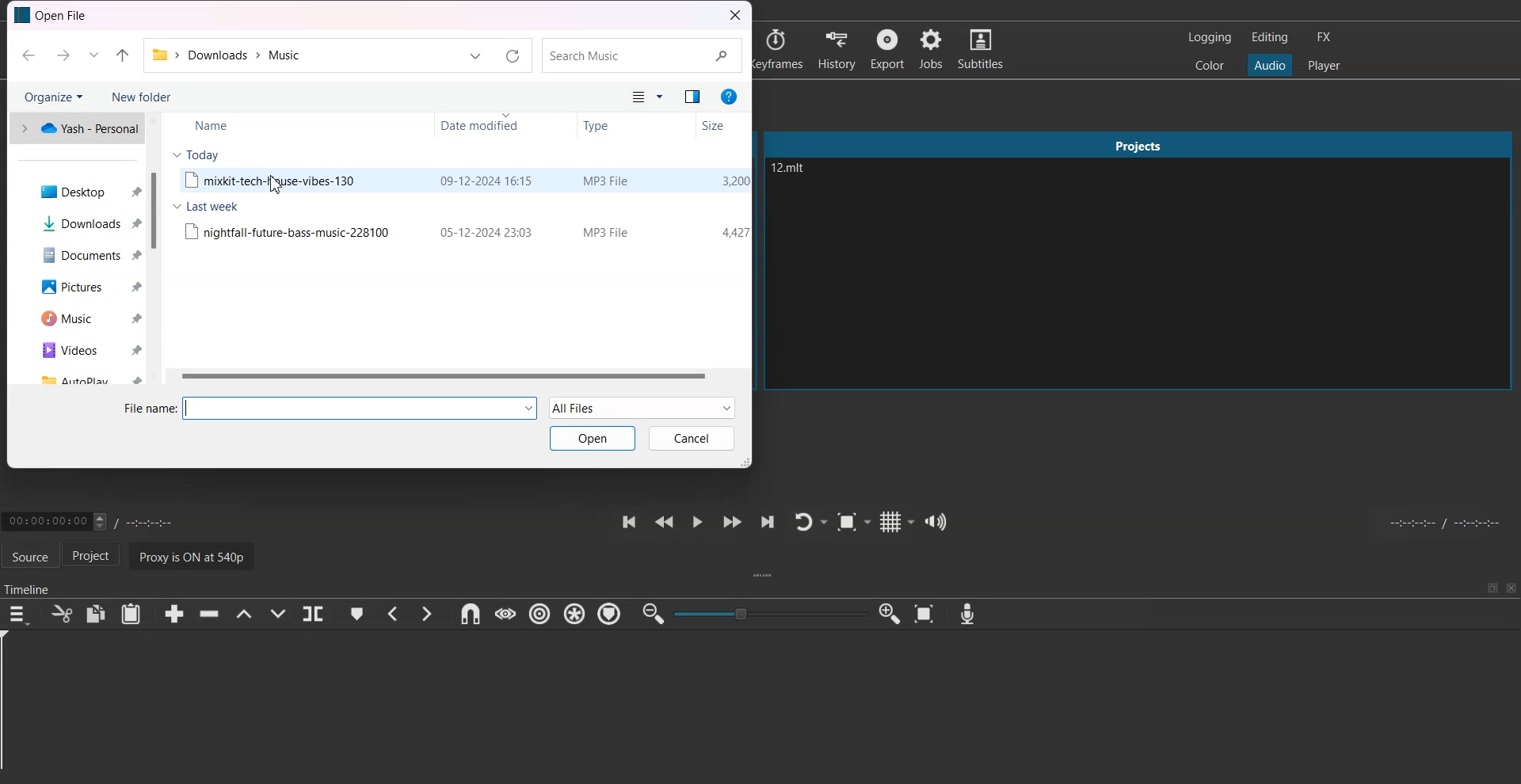  What do you see at coordinates (810, 521) in the screenshot?
I see `Toggle player looping` at bounding box center [810, 521].